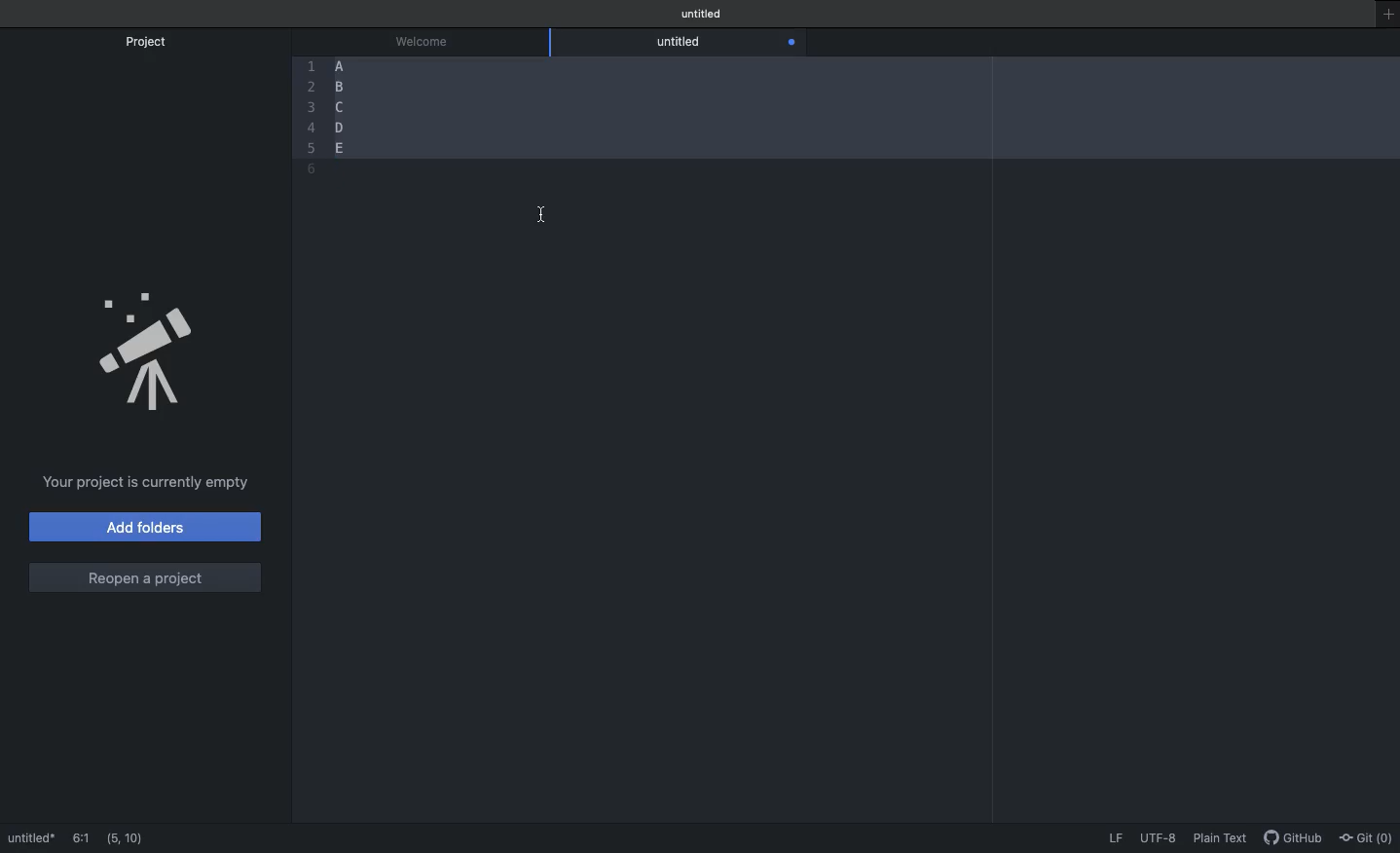 The width and height of the screenshot is (1400, 853). What do you see at coordinates (427, 39) in the screenshot?
I see `‘Welcome` at bounding box center [427, 39].